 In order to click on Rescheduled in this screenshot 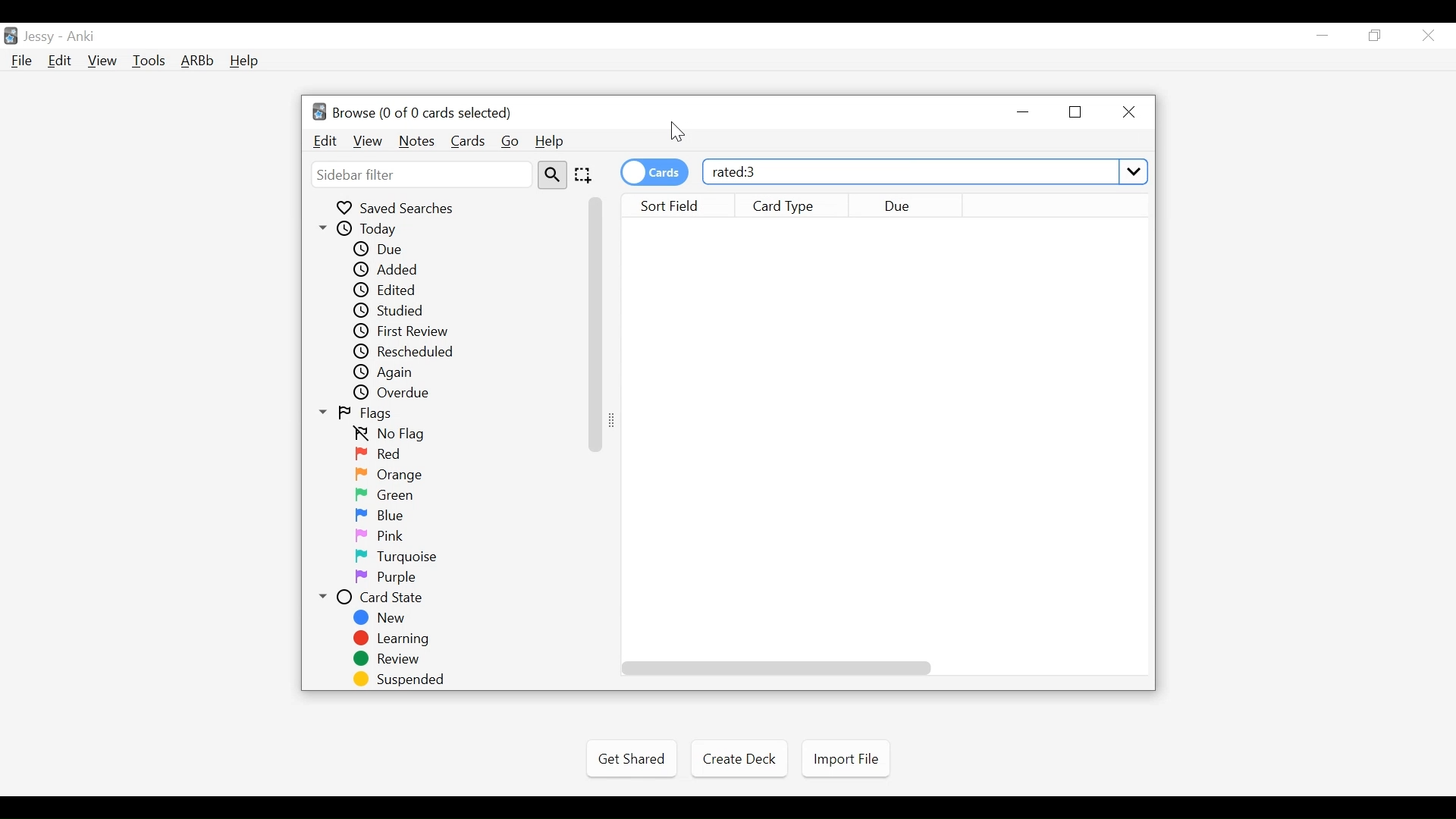, I will do `click(413, 353)`.